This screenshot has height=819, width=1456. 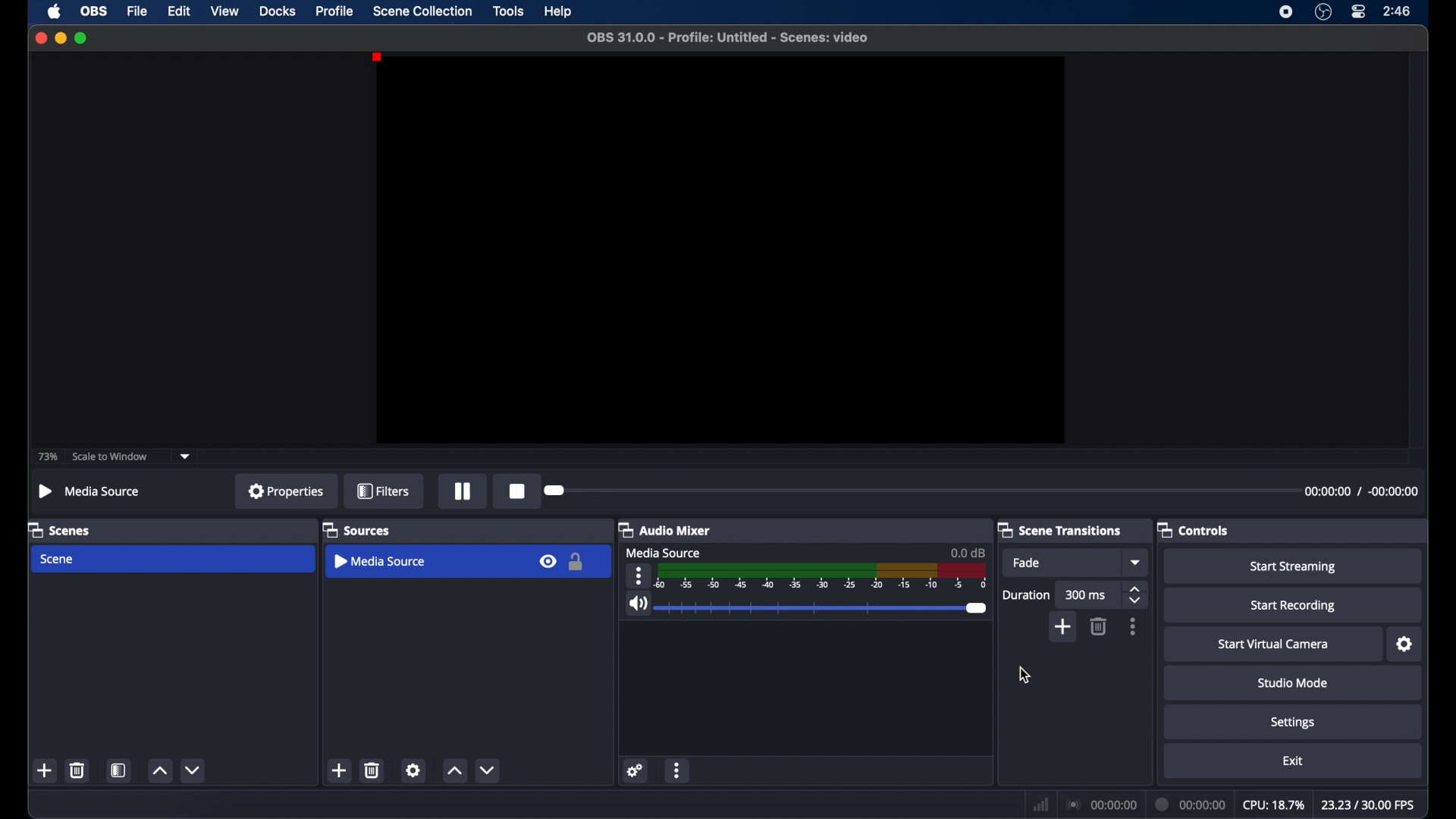 I want to click on increment, so click(x=455, y=772).